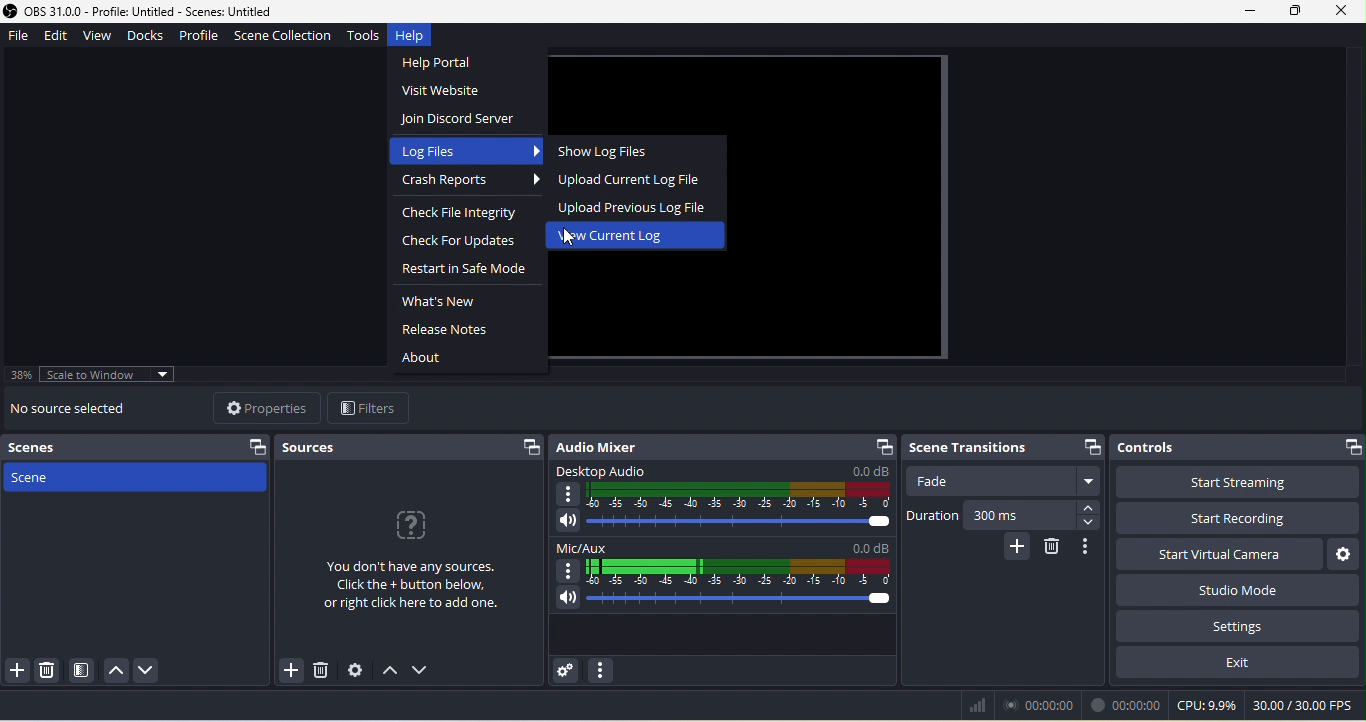 This screenshot has height=722, width=1366. I want to click on scene, so click(136, 482).